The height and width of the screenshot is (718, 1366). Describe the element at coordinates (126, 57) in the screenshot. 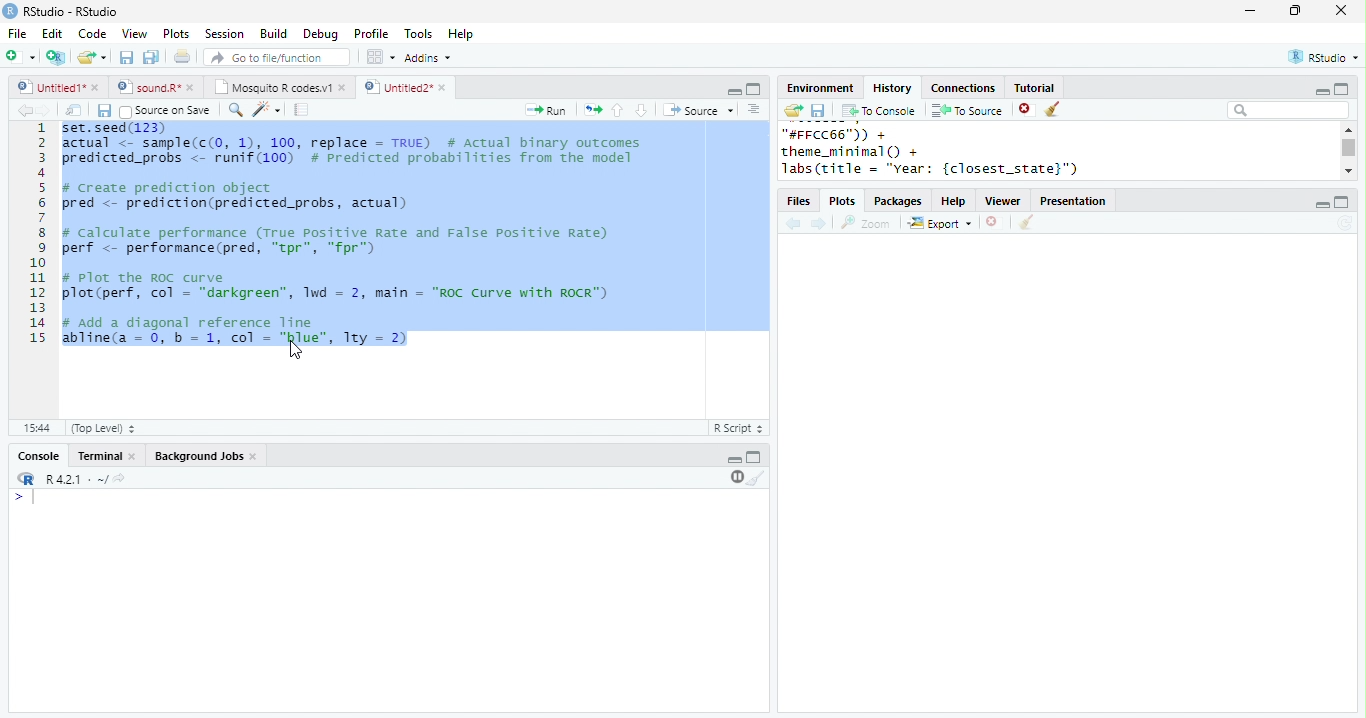

I see `save` at that location.